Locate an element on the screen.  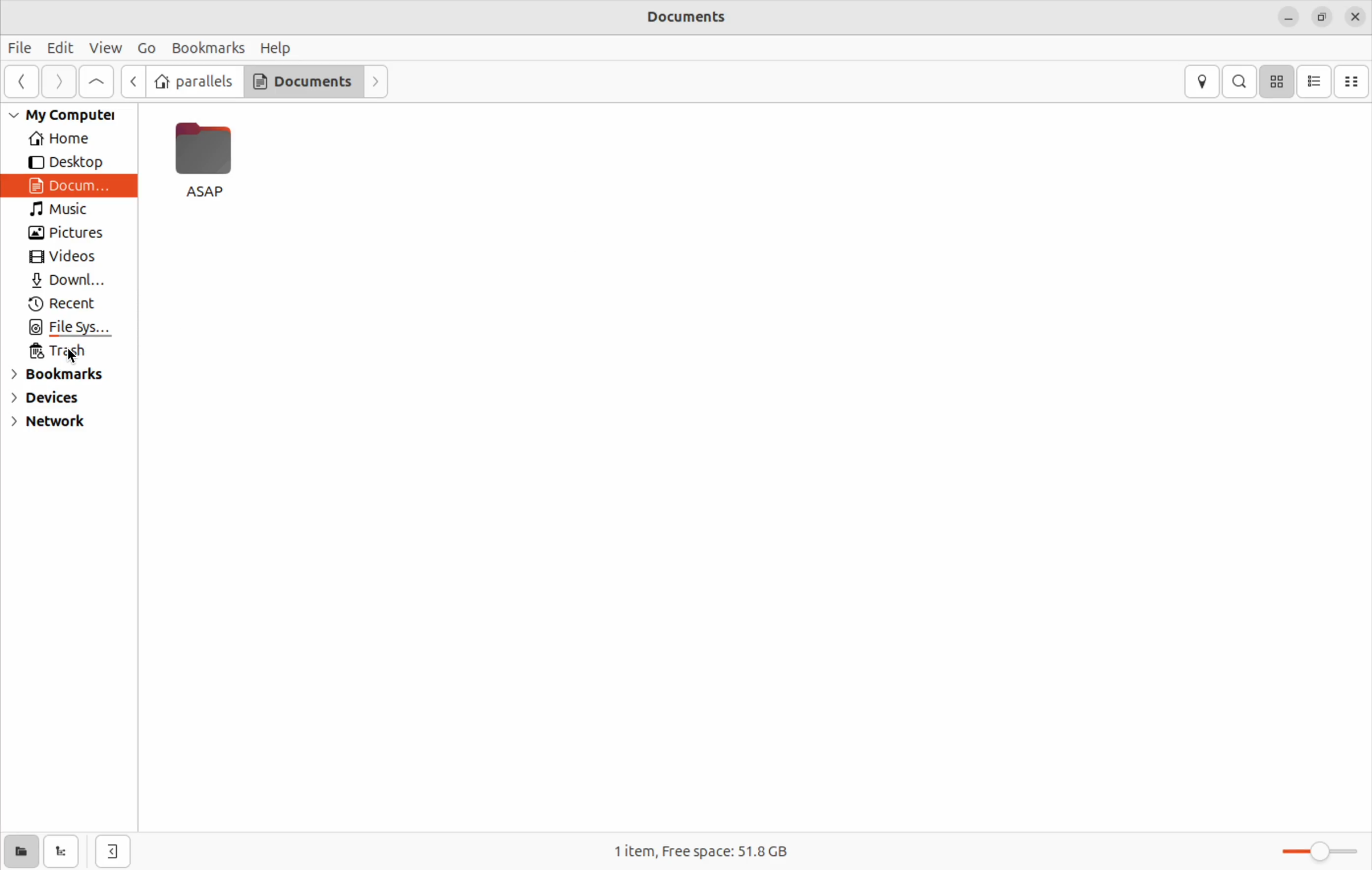
show tree view is located at coordinates (64, 850).